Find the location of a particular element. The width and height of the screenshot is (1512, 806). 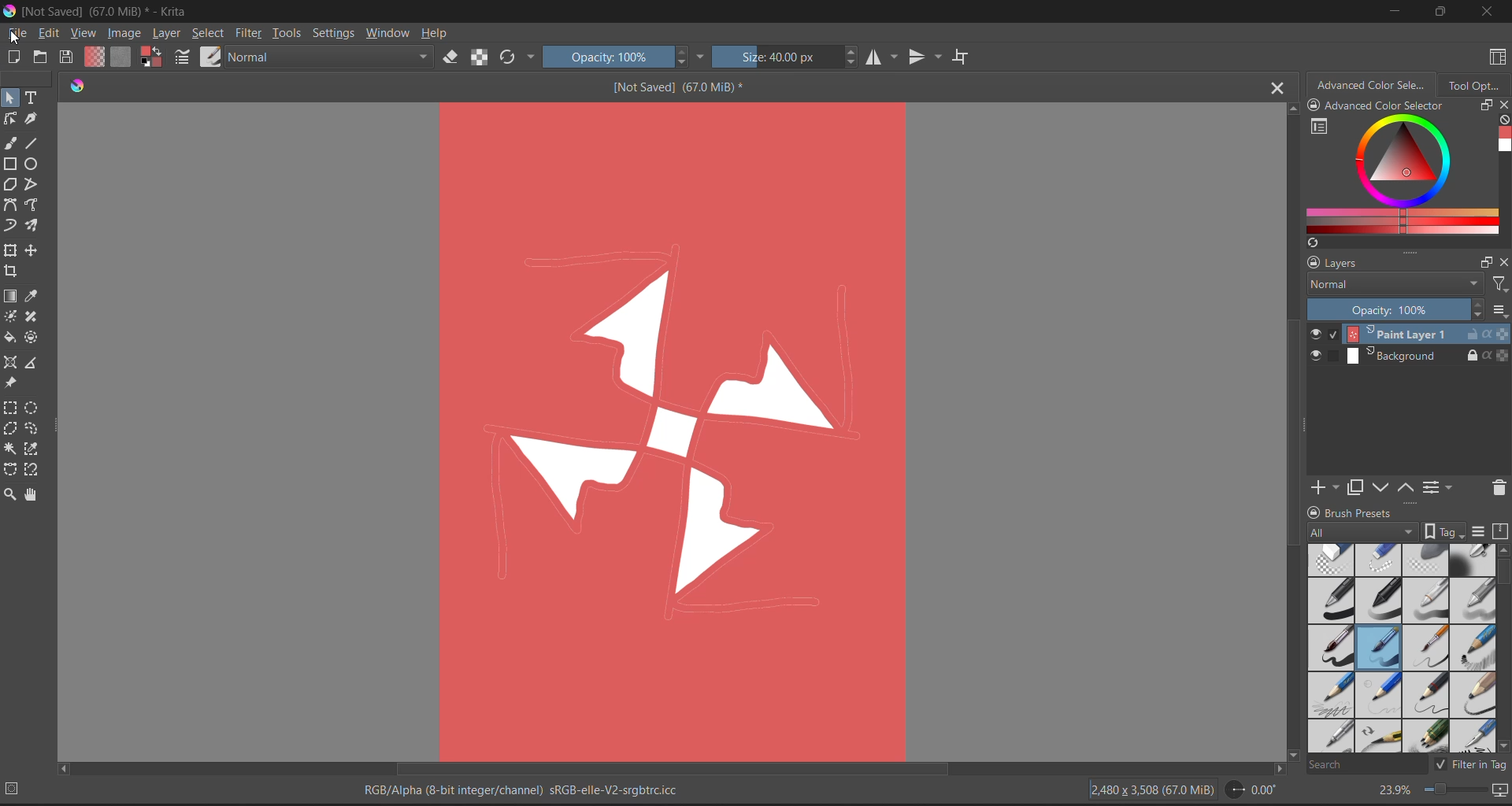

tools is located at coordinates (9, 226).